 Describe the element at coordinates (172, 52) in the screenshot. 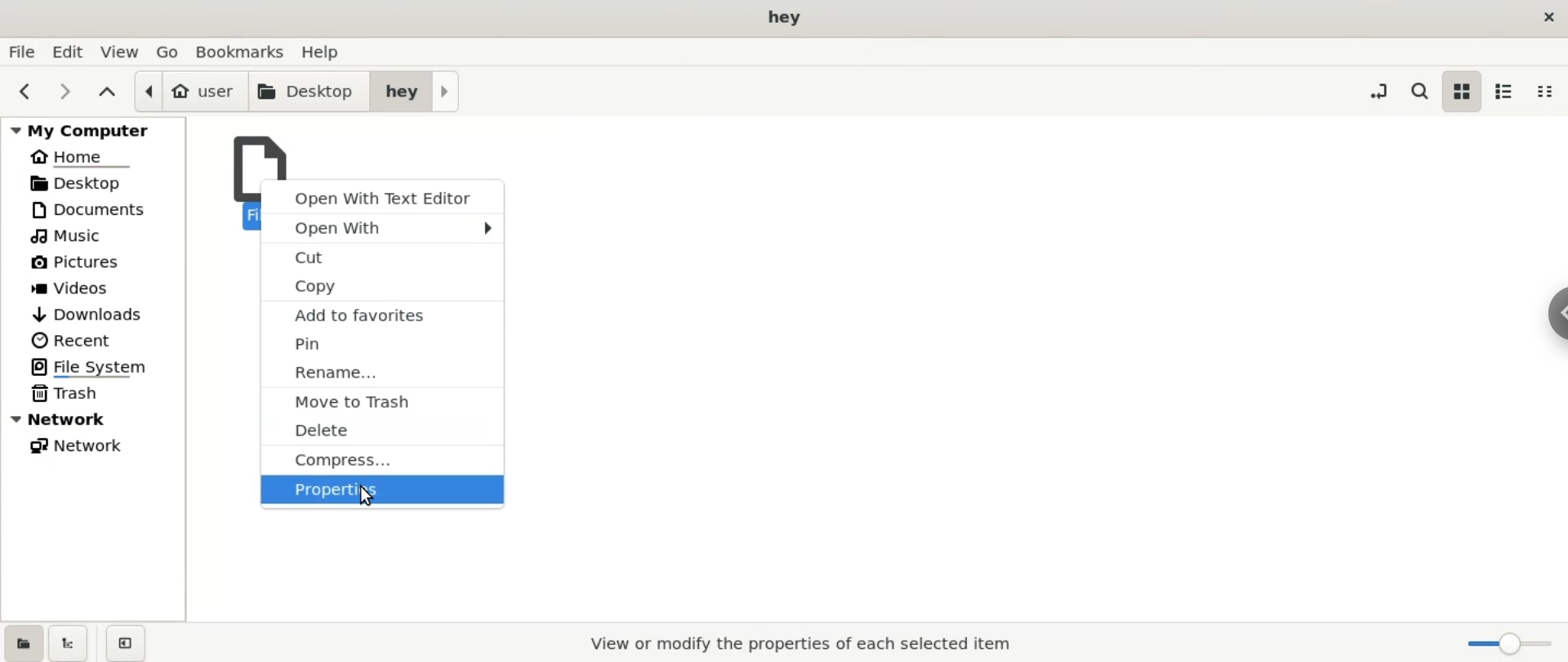

I see `go` at that location.